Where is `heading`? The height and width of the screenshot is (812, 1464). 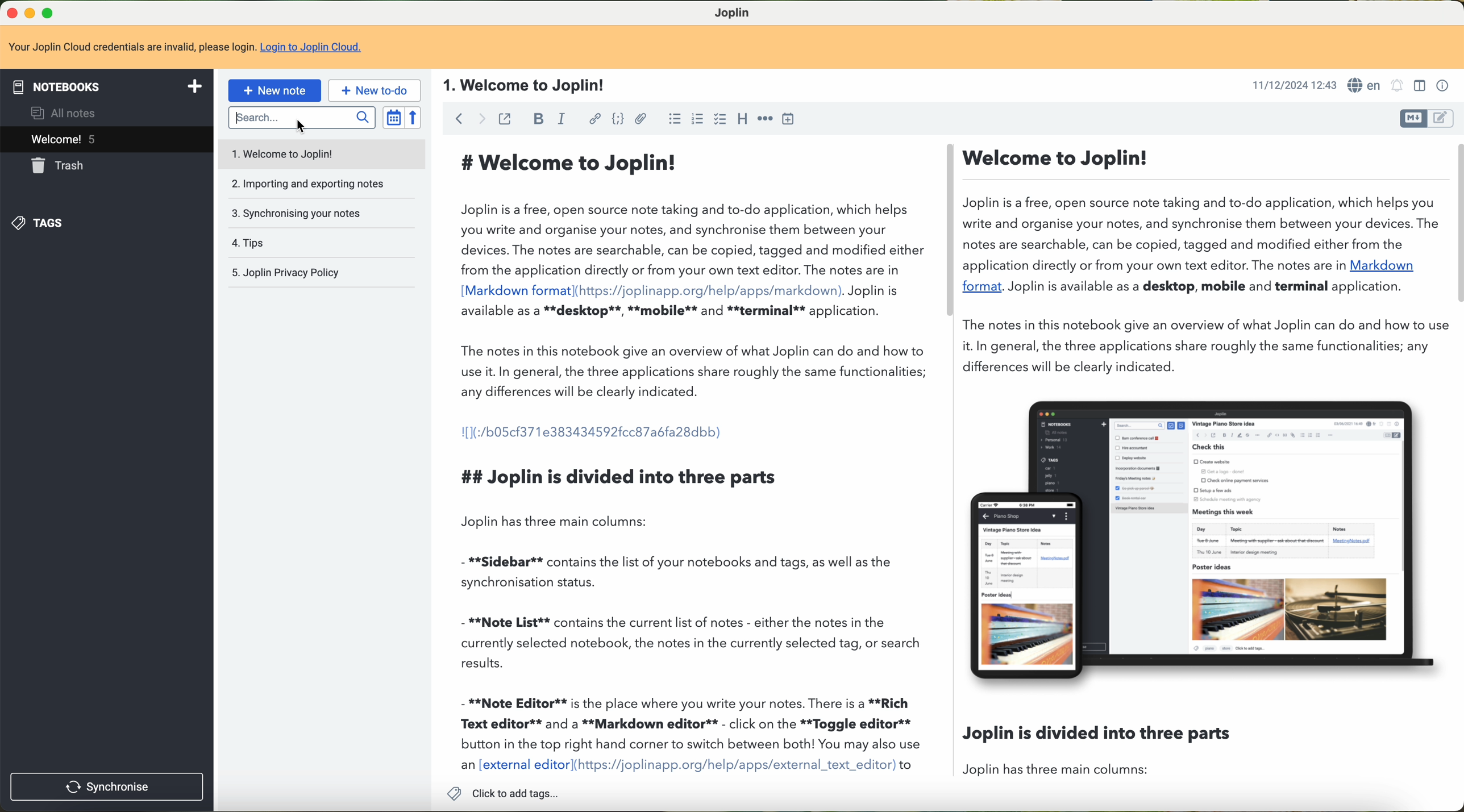 heading is located at coordinates (744, 118).